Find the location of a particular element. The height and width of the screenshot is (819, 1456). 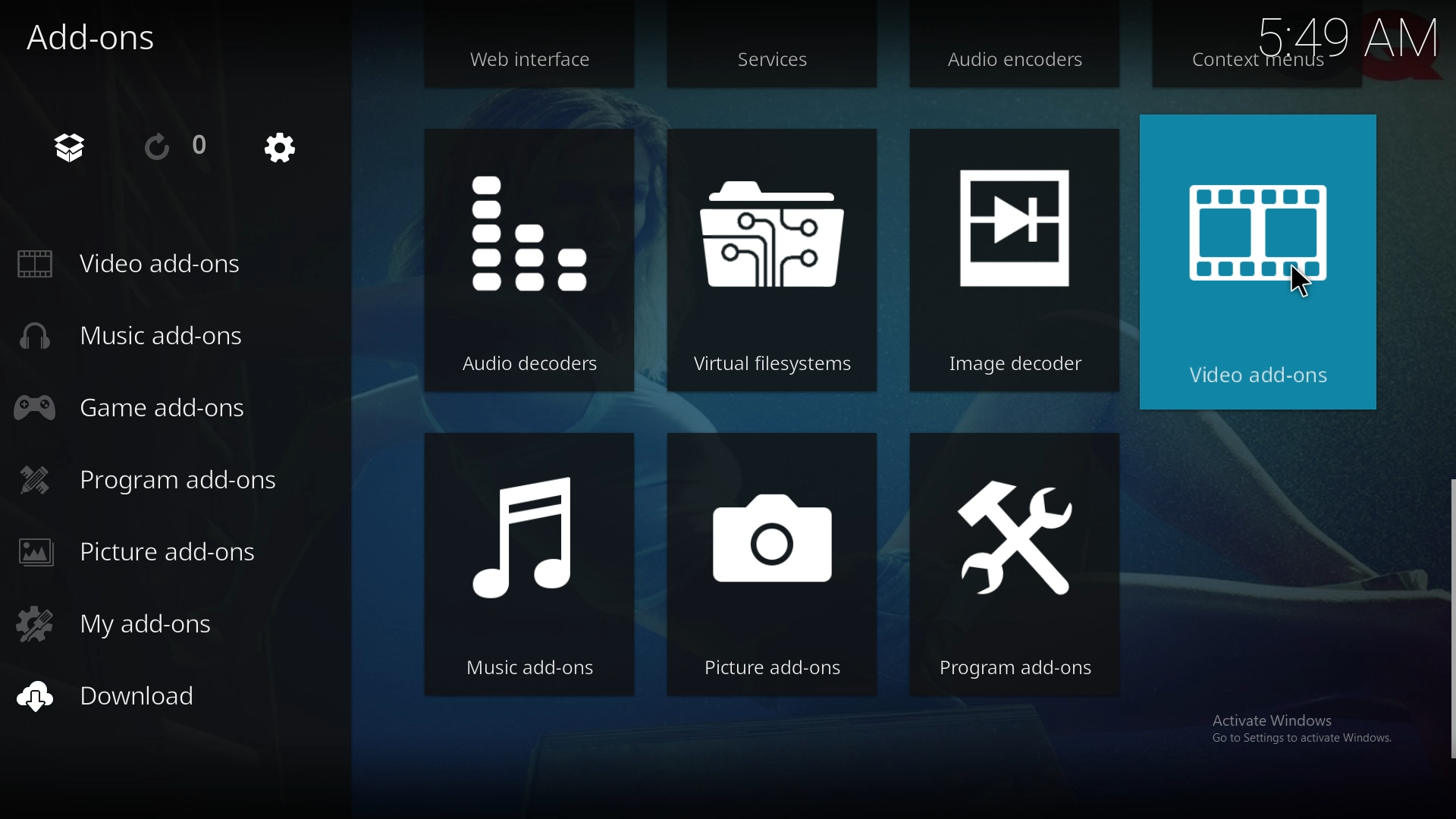

cursor is located at coordinates (1307, 284).